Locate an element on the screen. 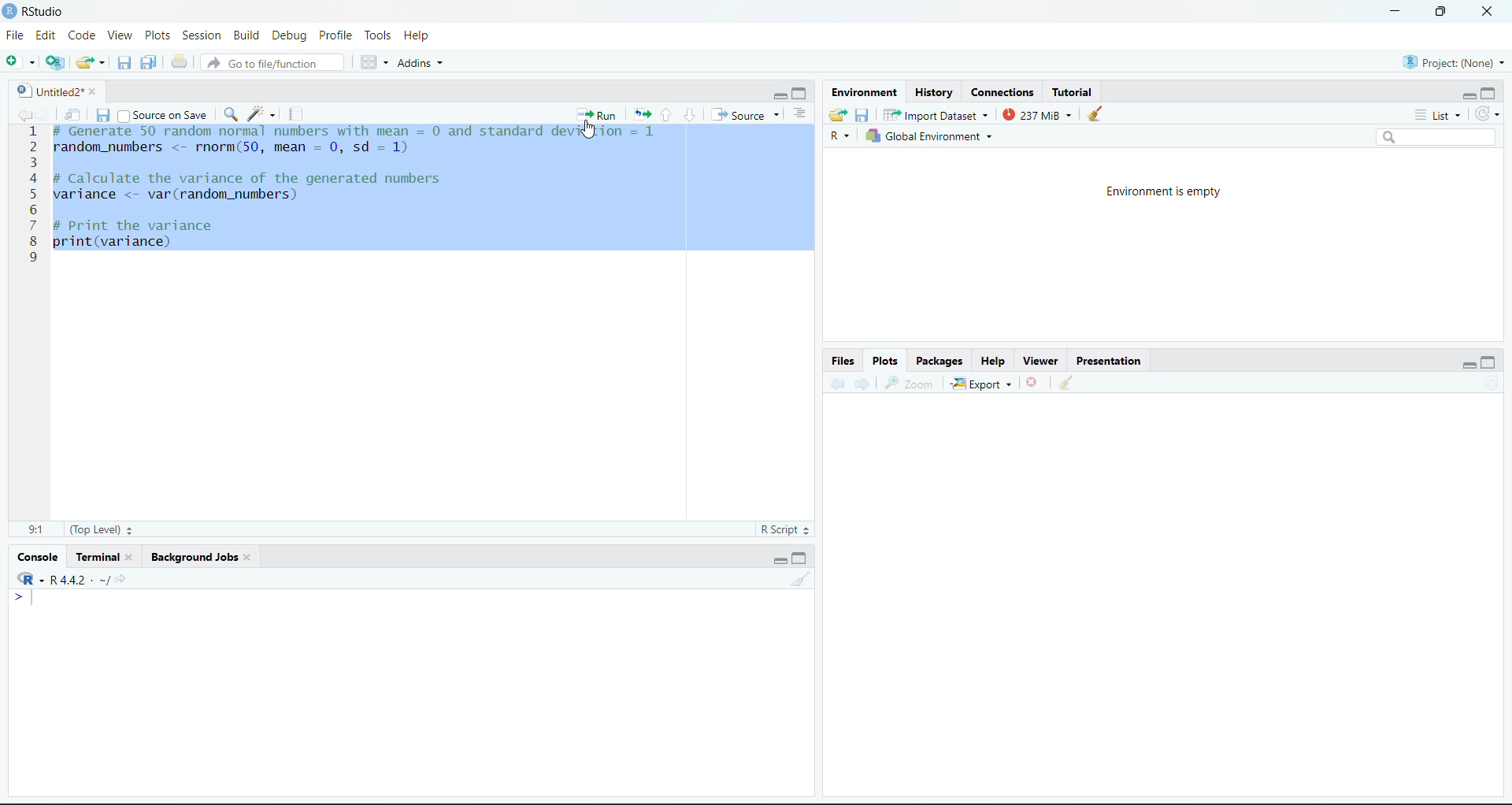 This screenshot has height=805, width=1512. options is located at coordinates (800, 114).